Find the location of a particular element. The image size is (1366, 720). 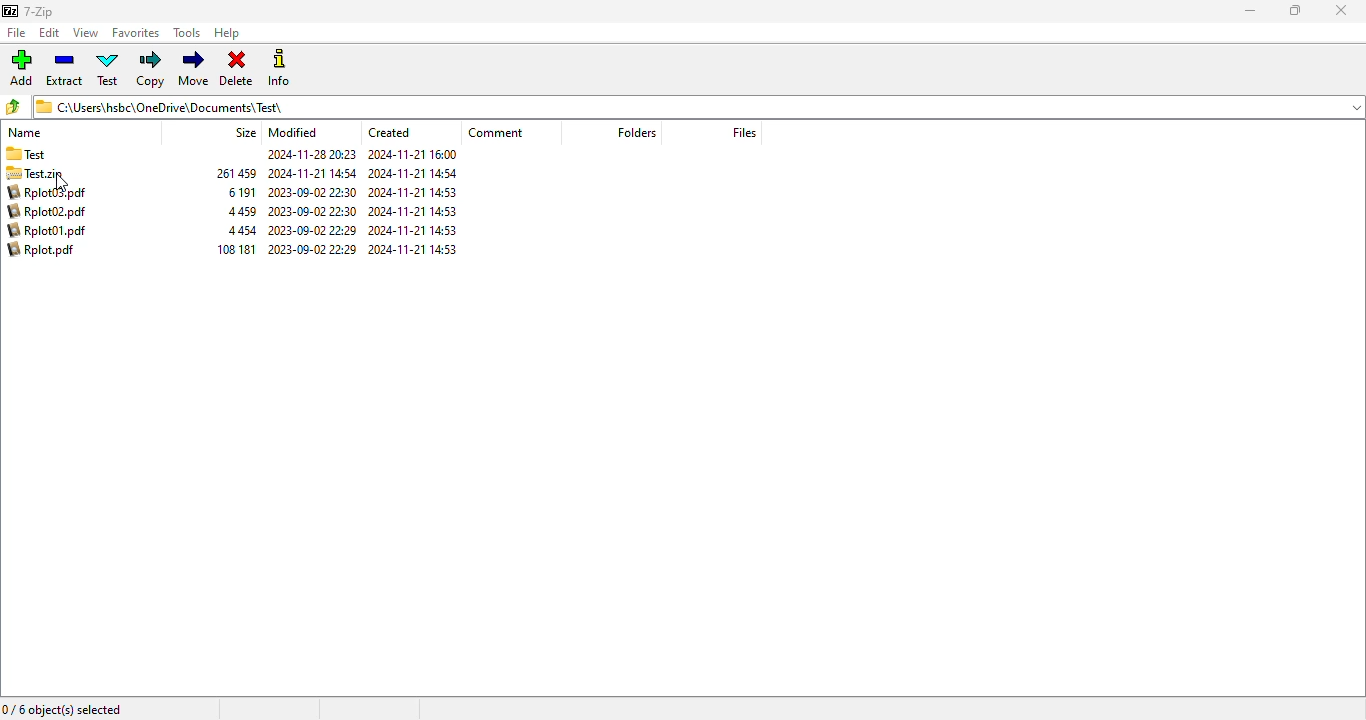

4 454 is located at coordinates (242, 230).